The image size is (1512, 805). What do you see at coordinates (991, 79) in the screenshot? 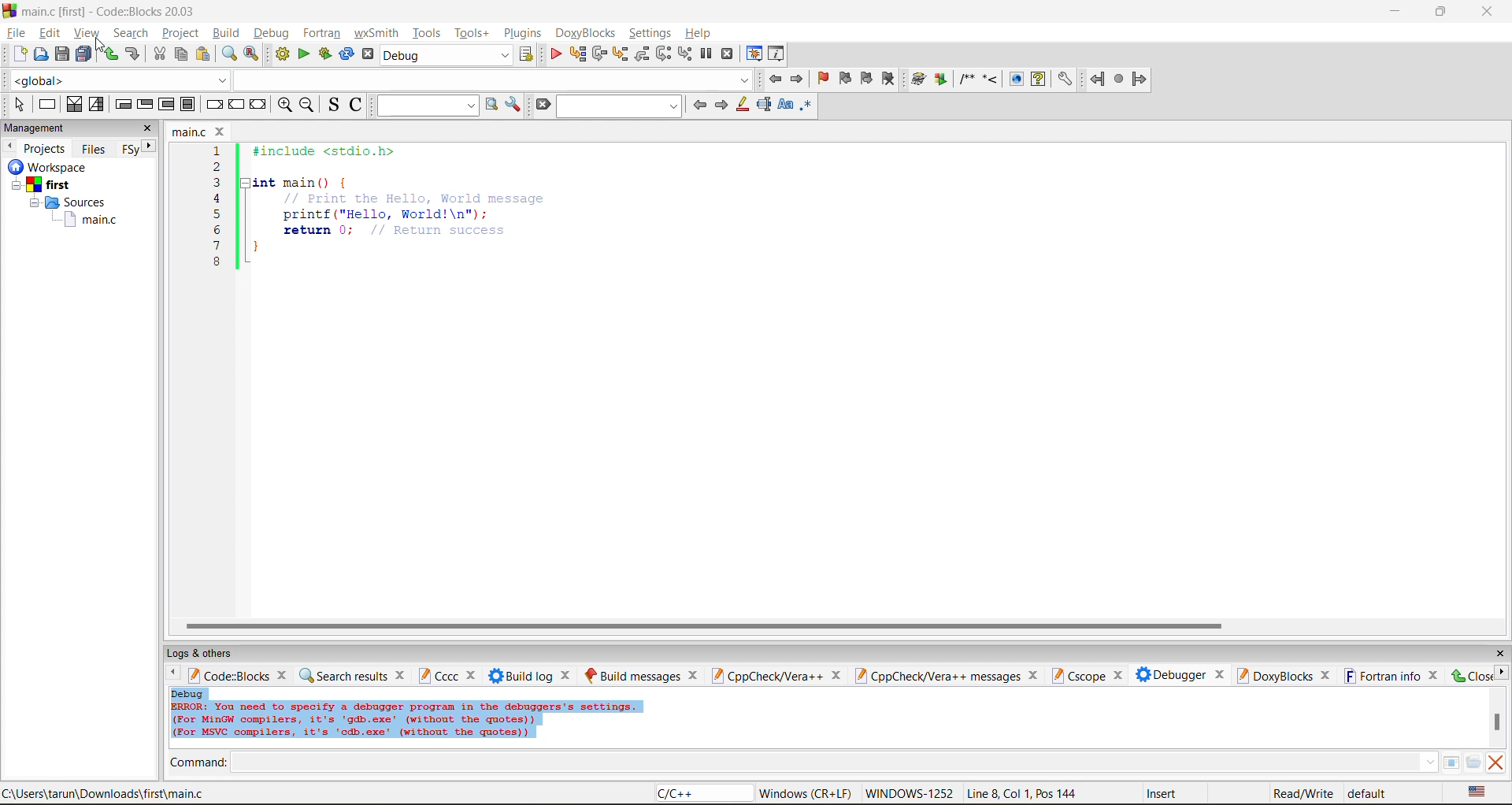
I see `Insert line` at bounding box center [991, 79].